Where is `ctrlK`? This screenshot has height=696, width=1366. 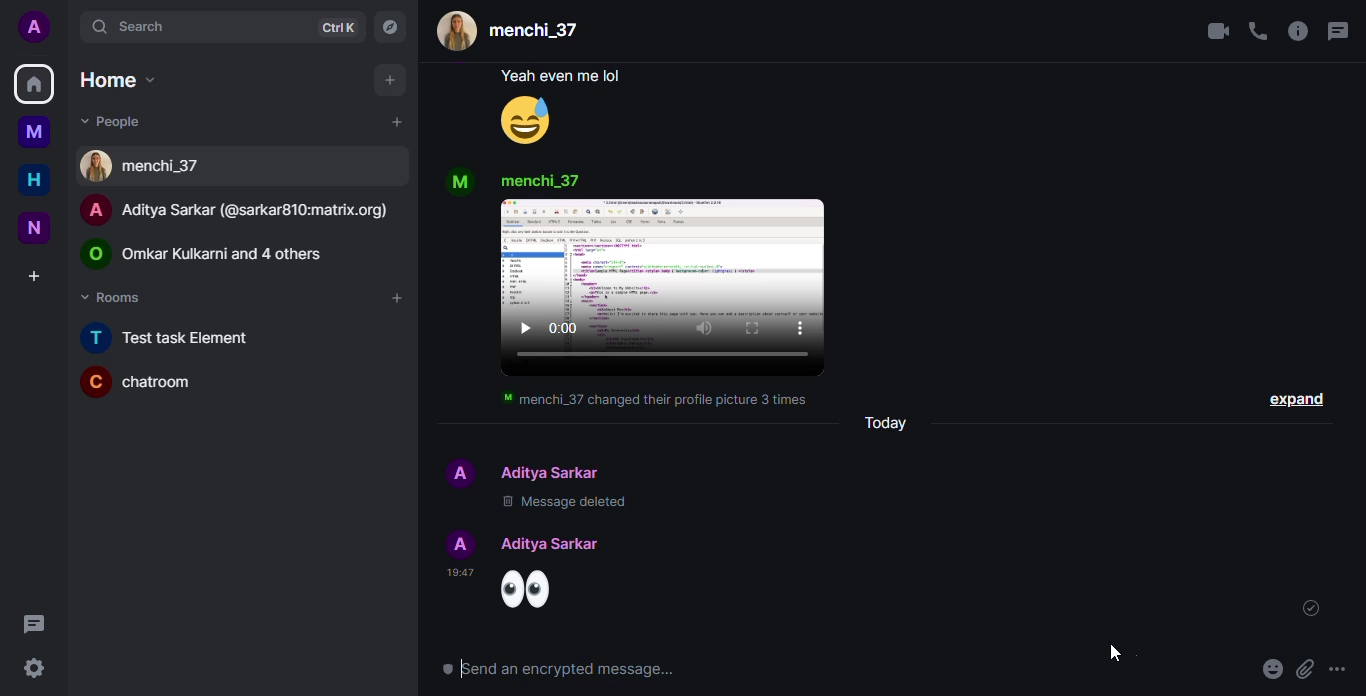 ctrlK is located at coordinates (334, 29).